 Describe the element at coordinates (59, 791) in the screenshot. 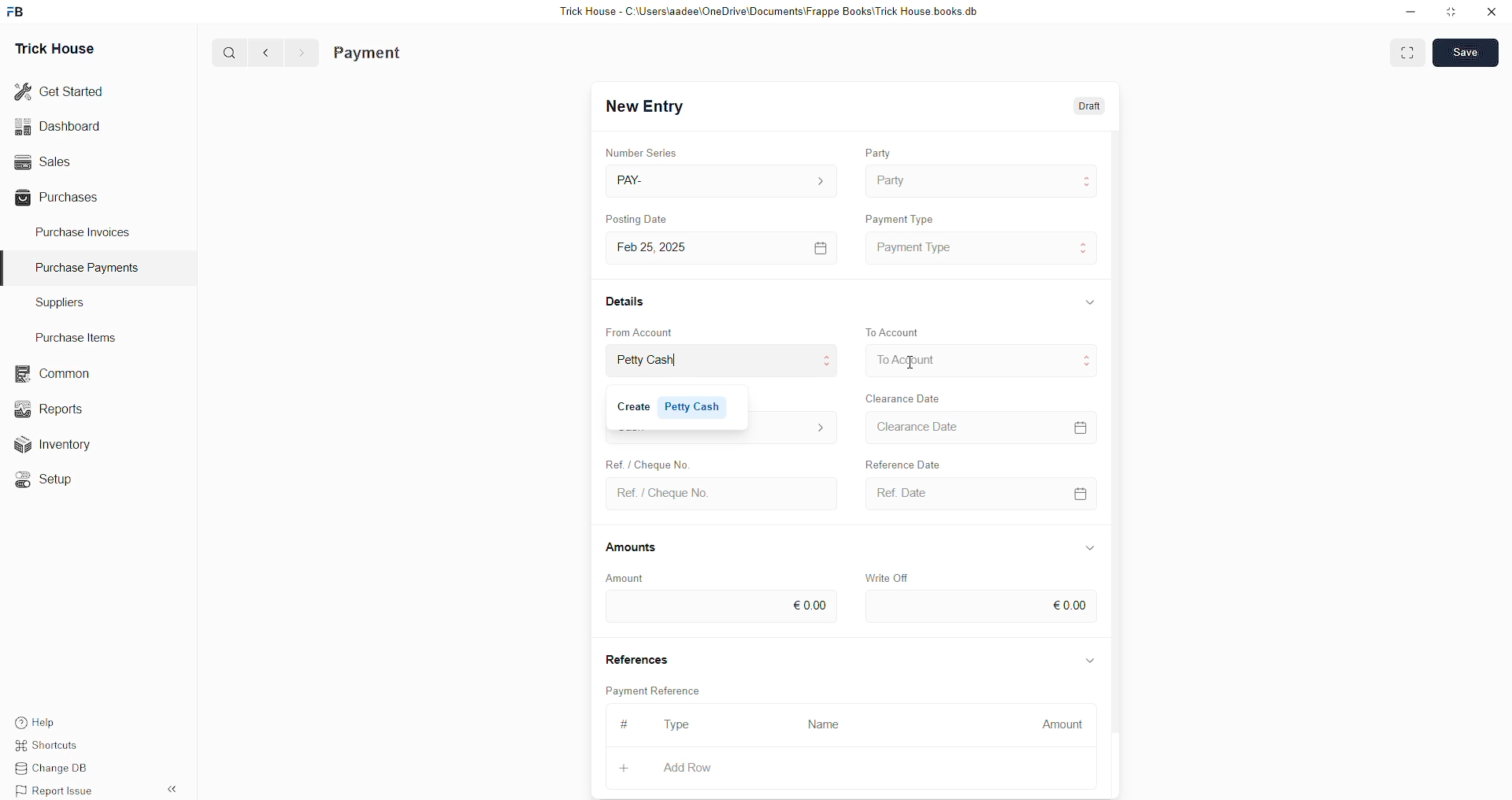

I see `Report Issue` at that location.